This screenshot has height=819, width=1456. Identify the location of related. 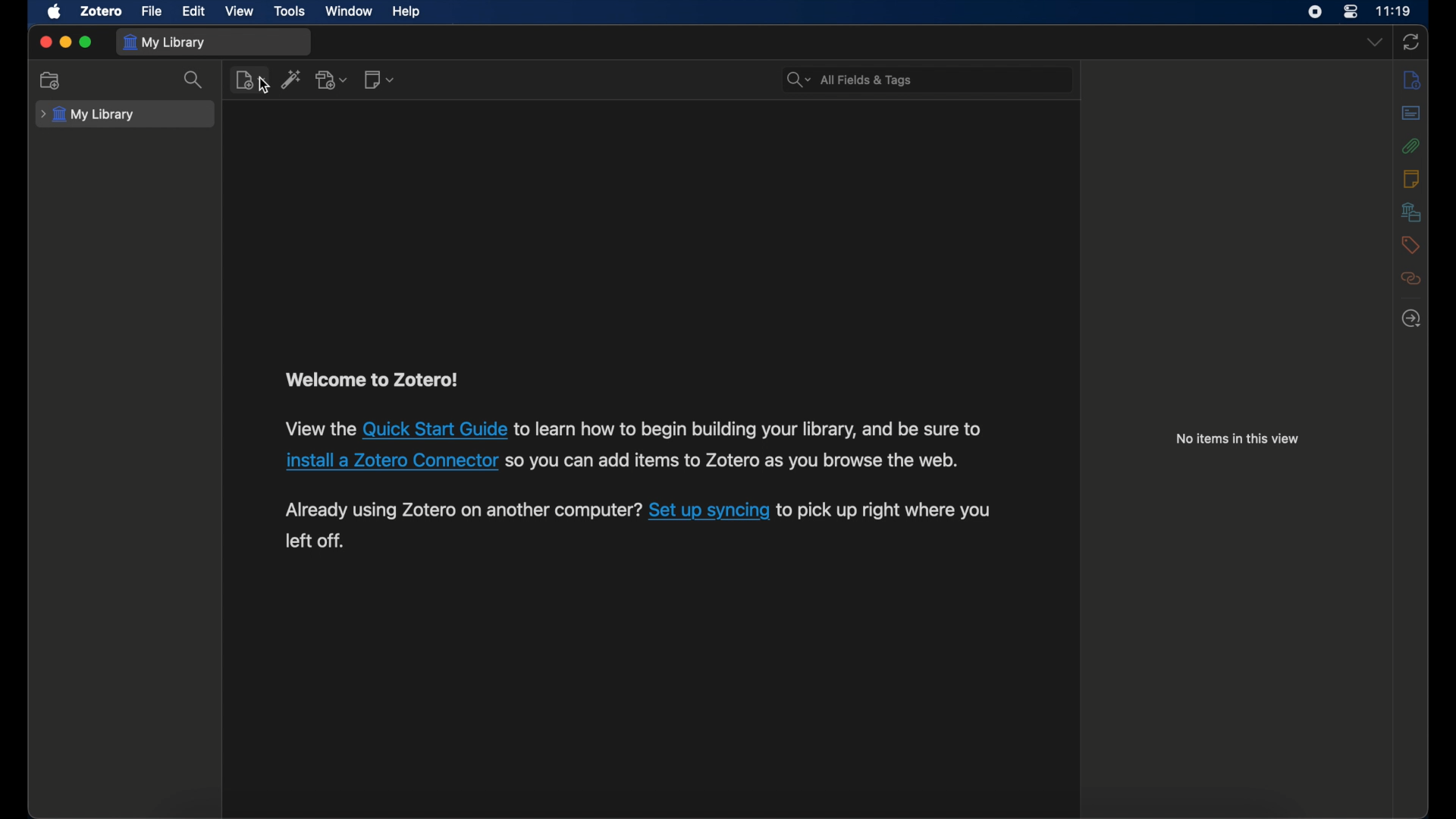
(1410, 278).